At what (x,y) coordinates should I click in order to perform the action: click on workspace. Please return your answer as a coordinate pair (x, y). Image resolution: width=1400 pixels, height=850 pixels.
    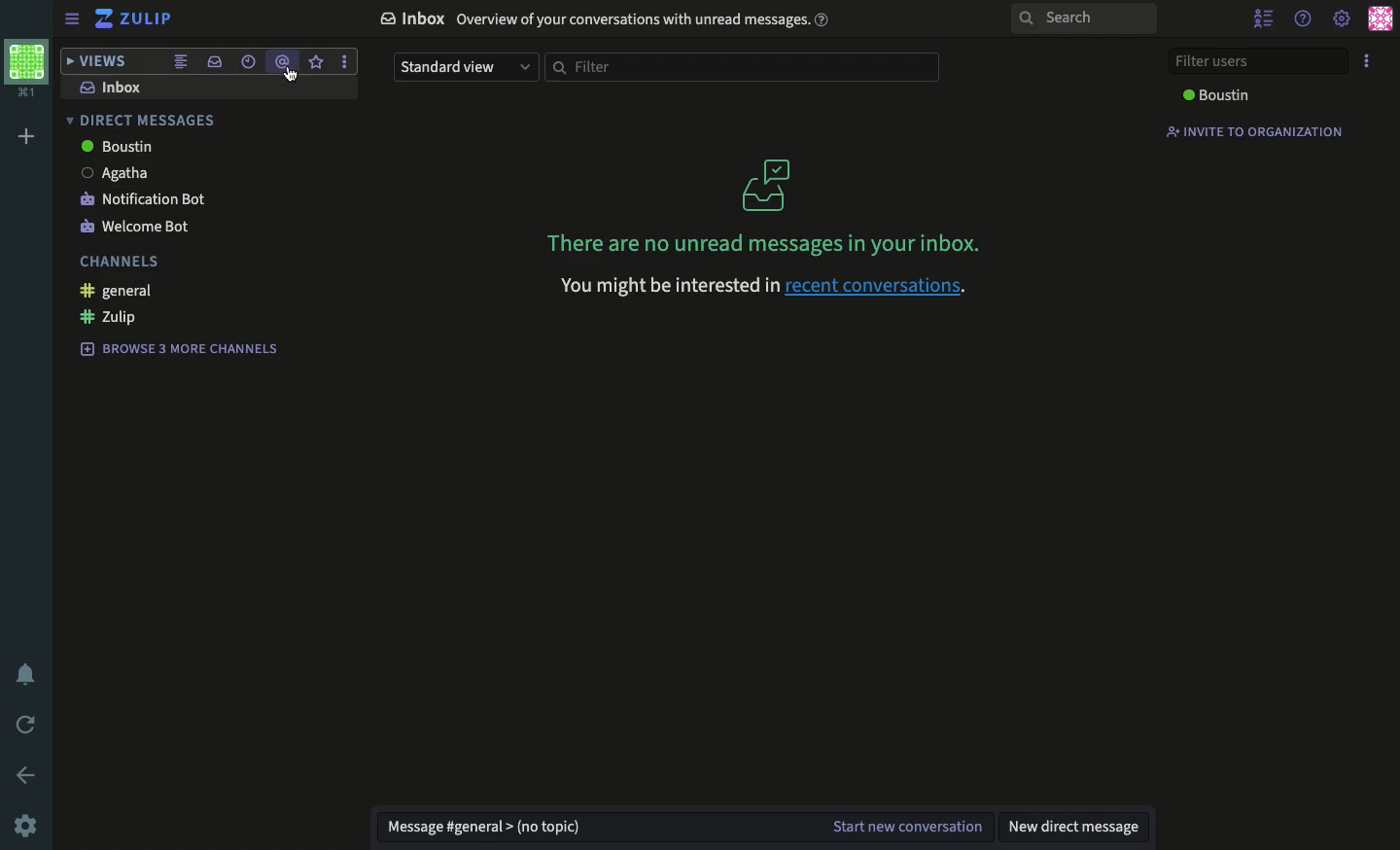
    Looking at the image, I should click on (28, 66).